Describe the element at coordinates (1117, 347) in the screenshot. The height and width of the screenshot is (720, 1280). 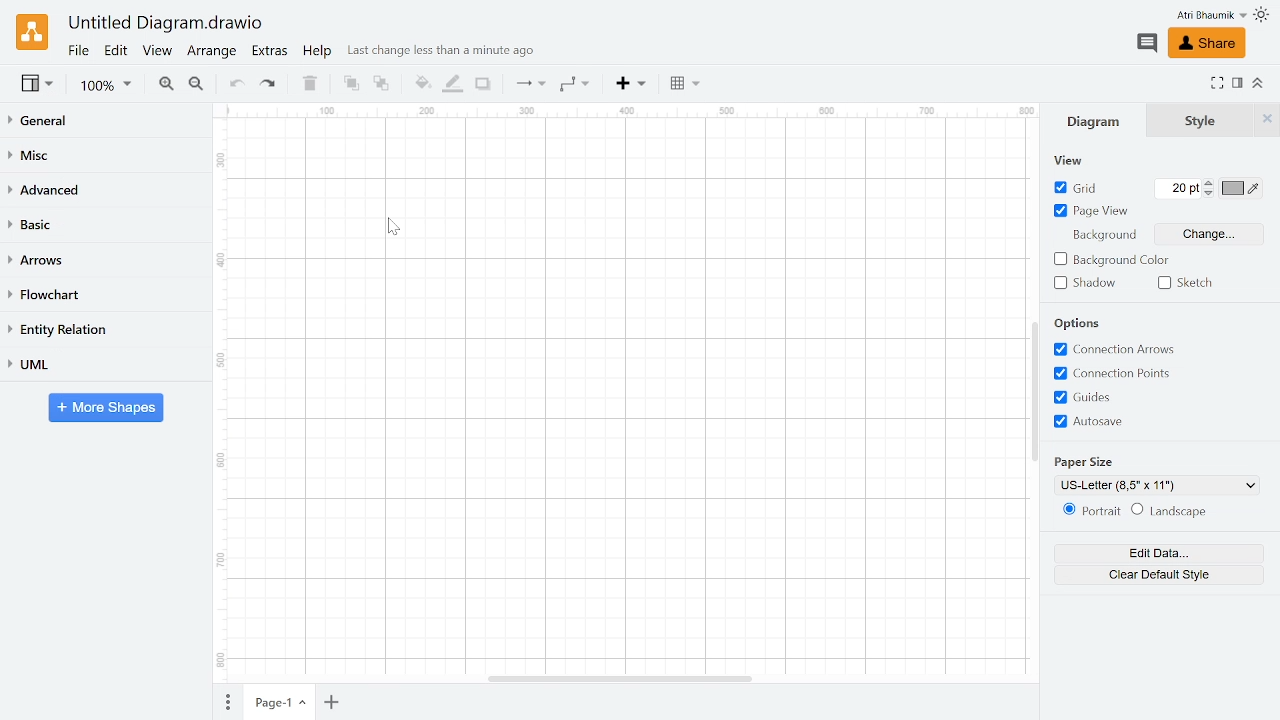
I see `Connection arrows` at that location.